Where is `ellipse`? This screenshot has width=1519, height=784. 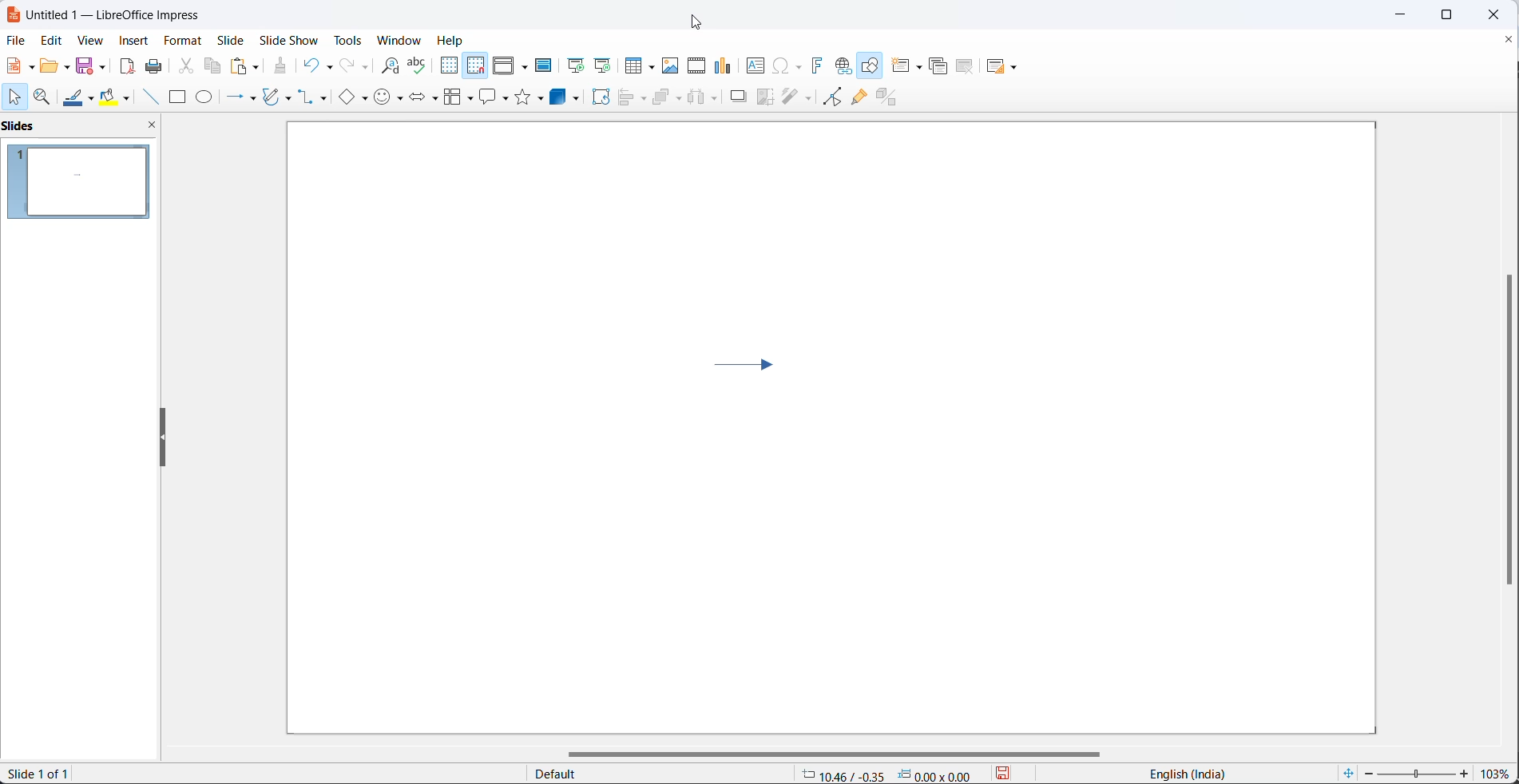 ellipse is located at coordinates (204, 98).